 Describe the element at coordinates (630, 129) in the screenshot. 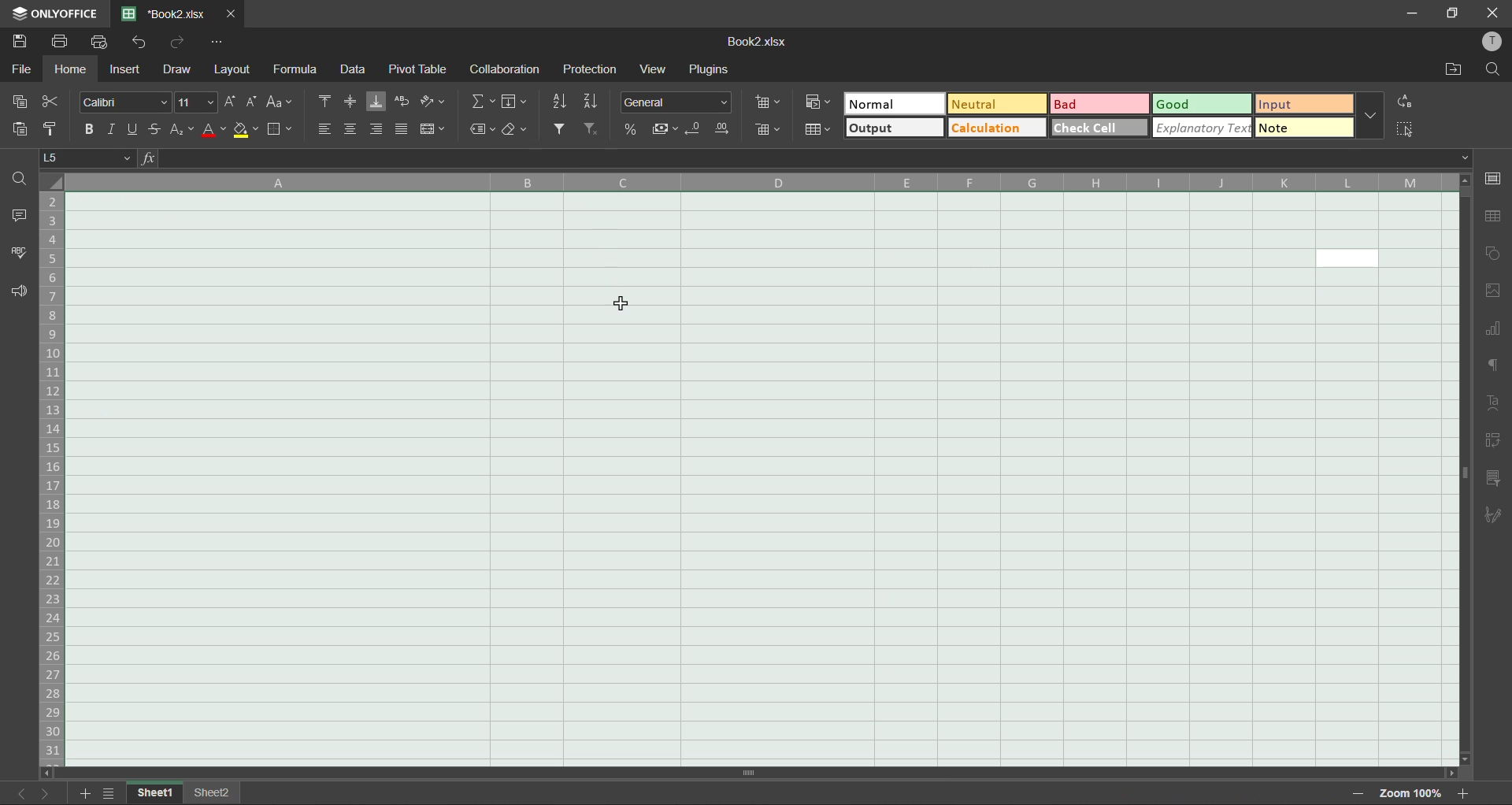

I see `percent` at that location.